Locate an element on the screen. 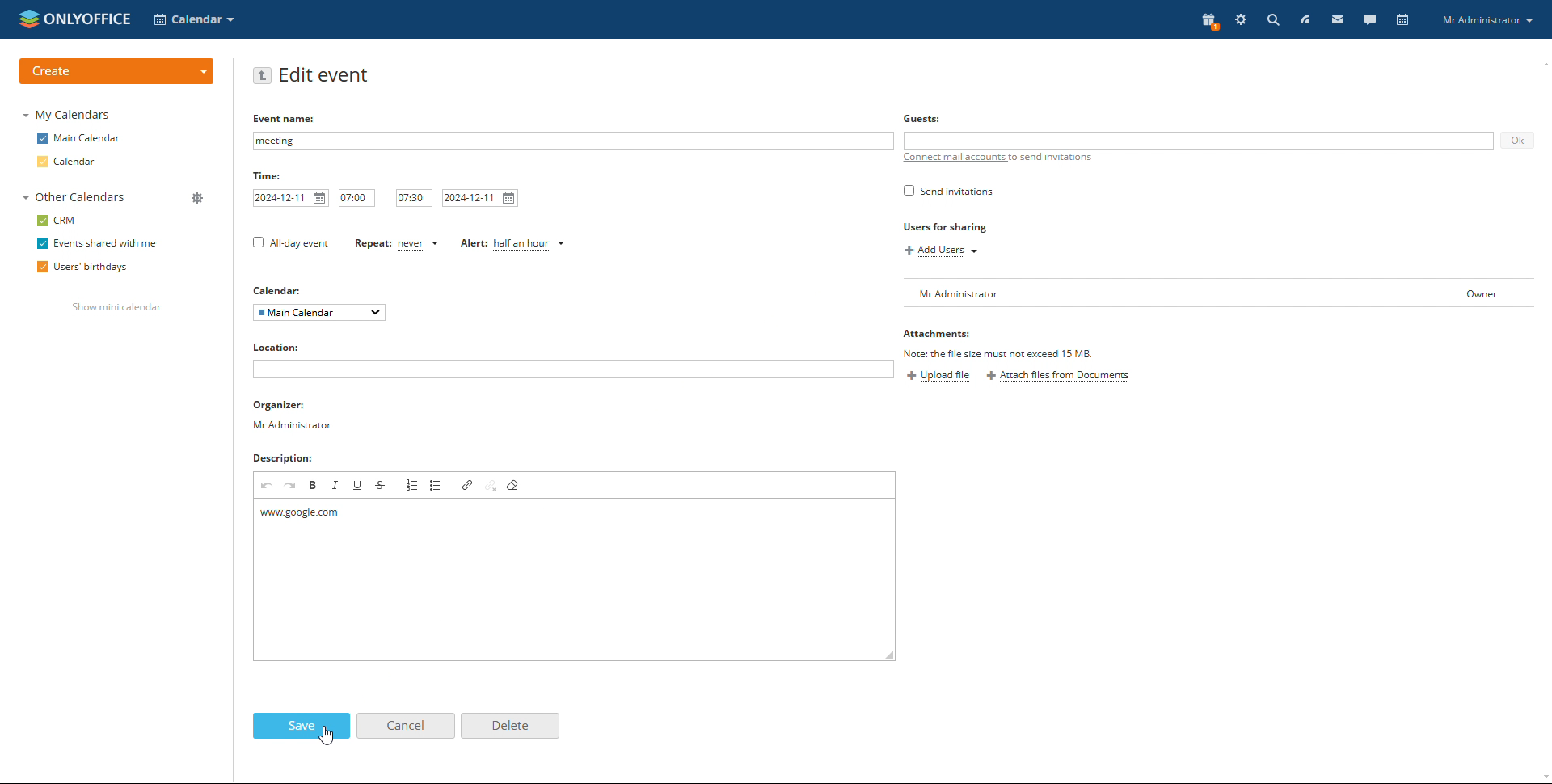 This screenshot has height=784, width=1552. feed is located at coordinates (1306, 19).